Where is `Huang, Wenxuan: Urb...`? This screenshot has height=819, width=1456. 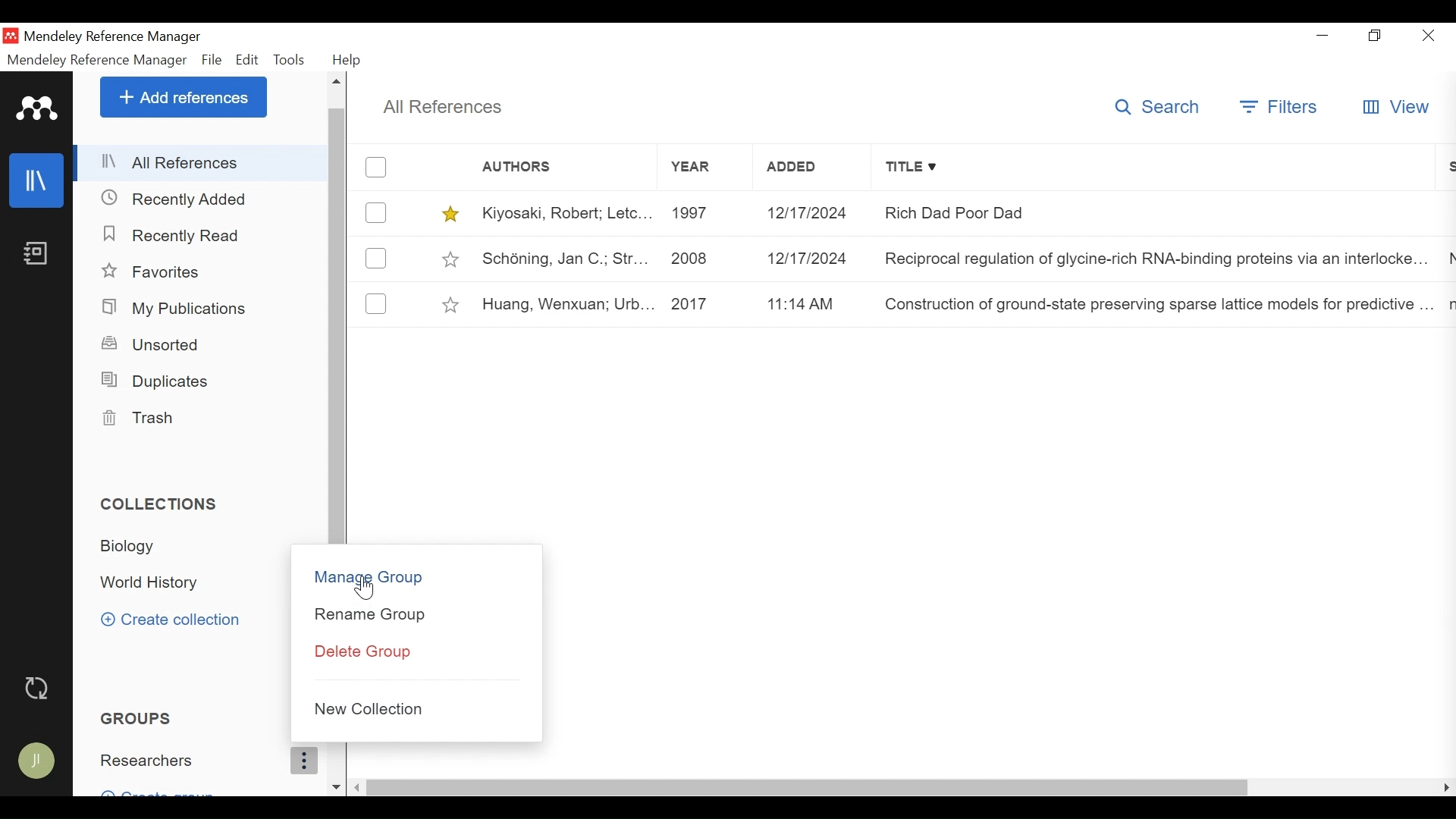 Huang, Wenxuan: Urb... is located at coordinates (566, 303).